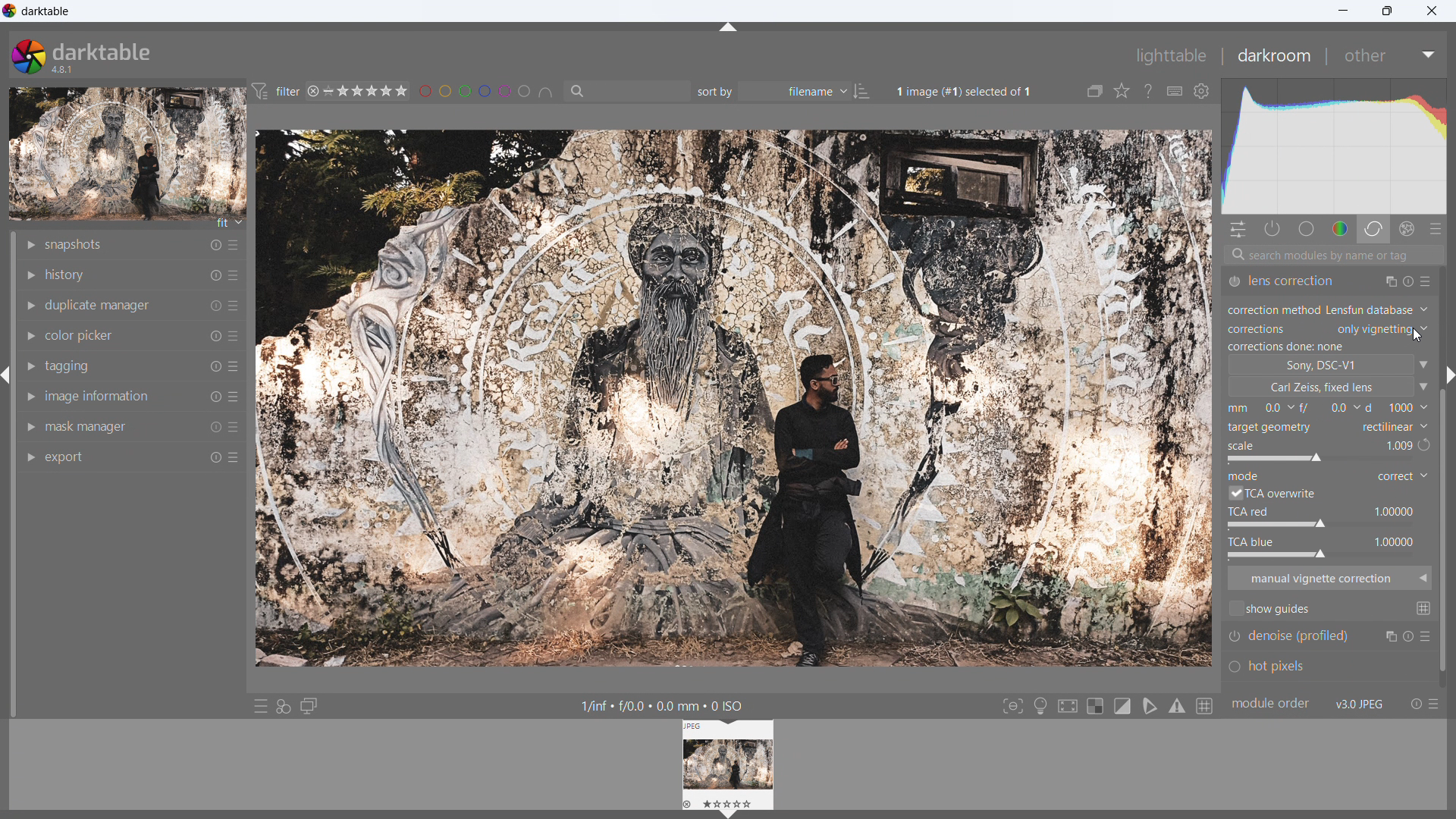  What do you see at coordinates (1272, 493) in the screenshot?
I see `tca overwrite` at bounding box center [1272, 493].